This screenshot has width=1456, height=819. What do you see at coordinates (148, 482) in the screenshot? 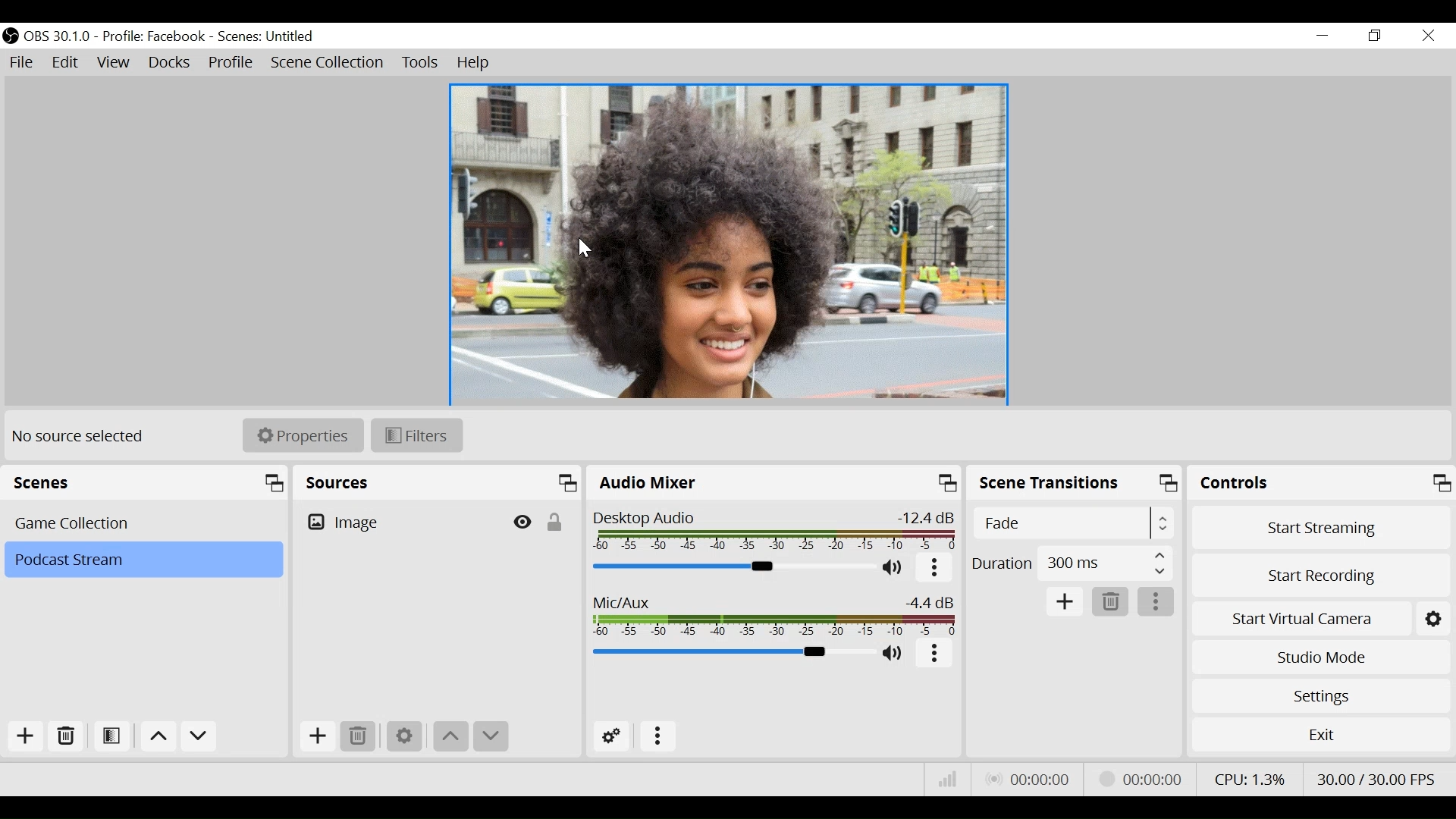
I see `Scenes Panel` at bounding box center [148, 482].